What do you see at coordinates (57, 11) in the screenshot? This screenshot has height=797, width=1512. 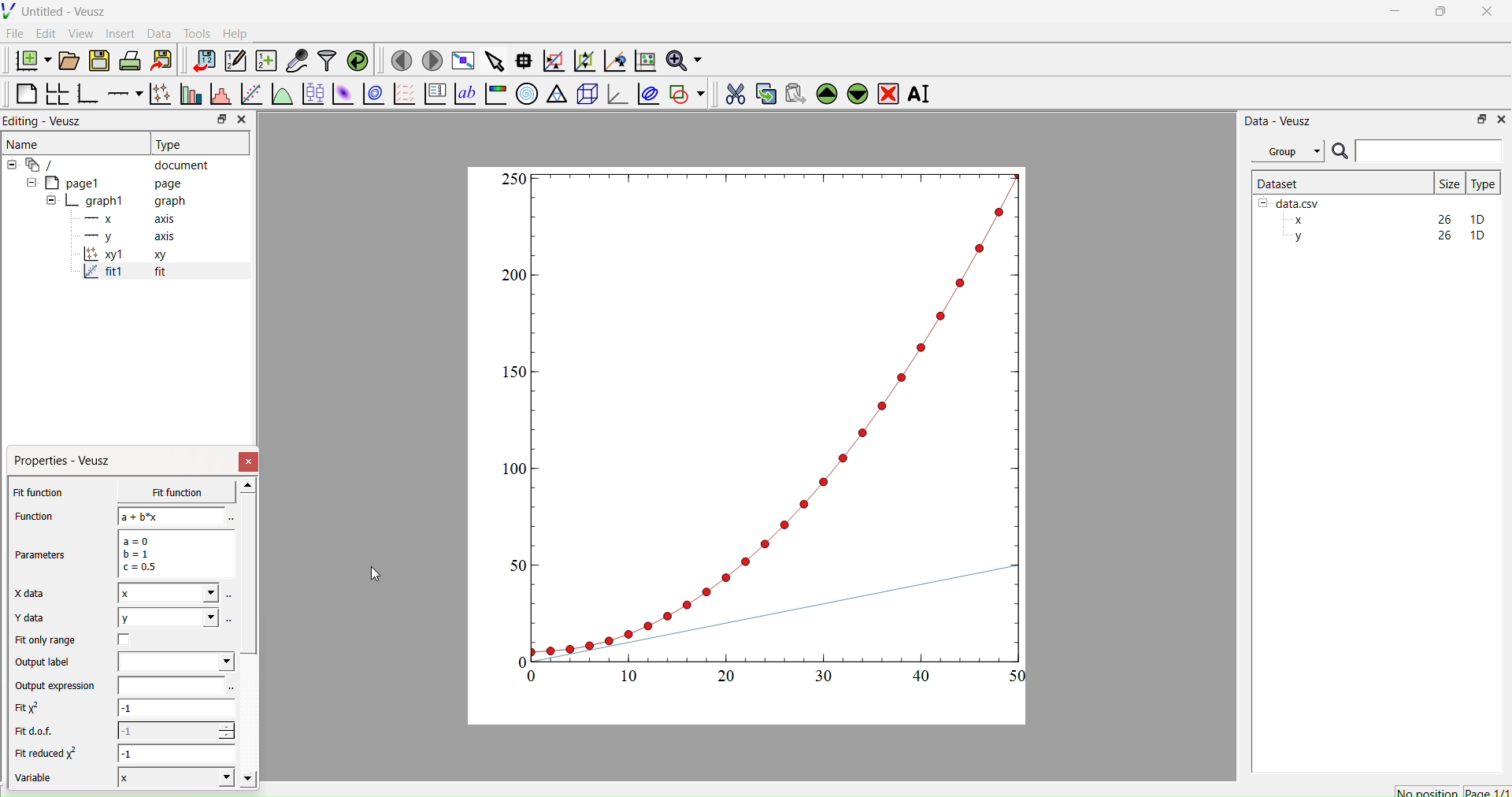 I see `Untitled - Veusz` at bounding box center [57, 11].